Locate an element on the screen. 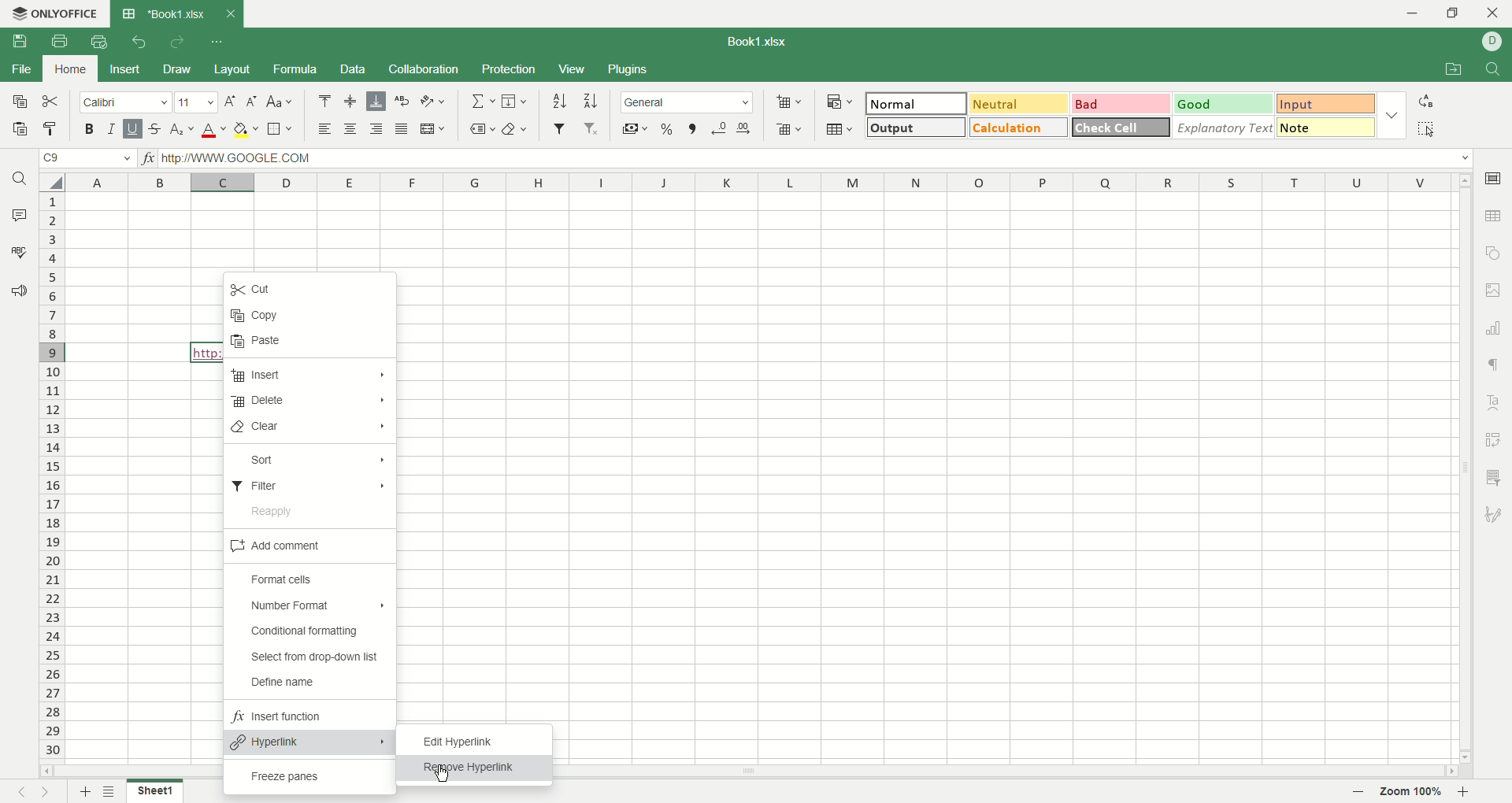 This screenshot has width=1512, height=803. zoom out is located at coordinates (1359, 792).